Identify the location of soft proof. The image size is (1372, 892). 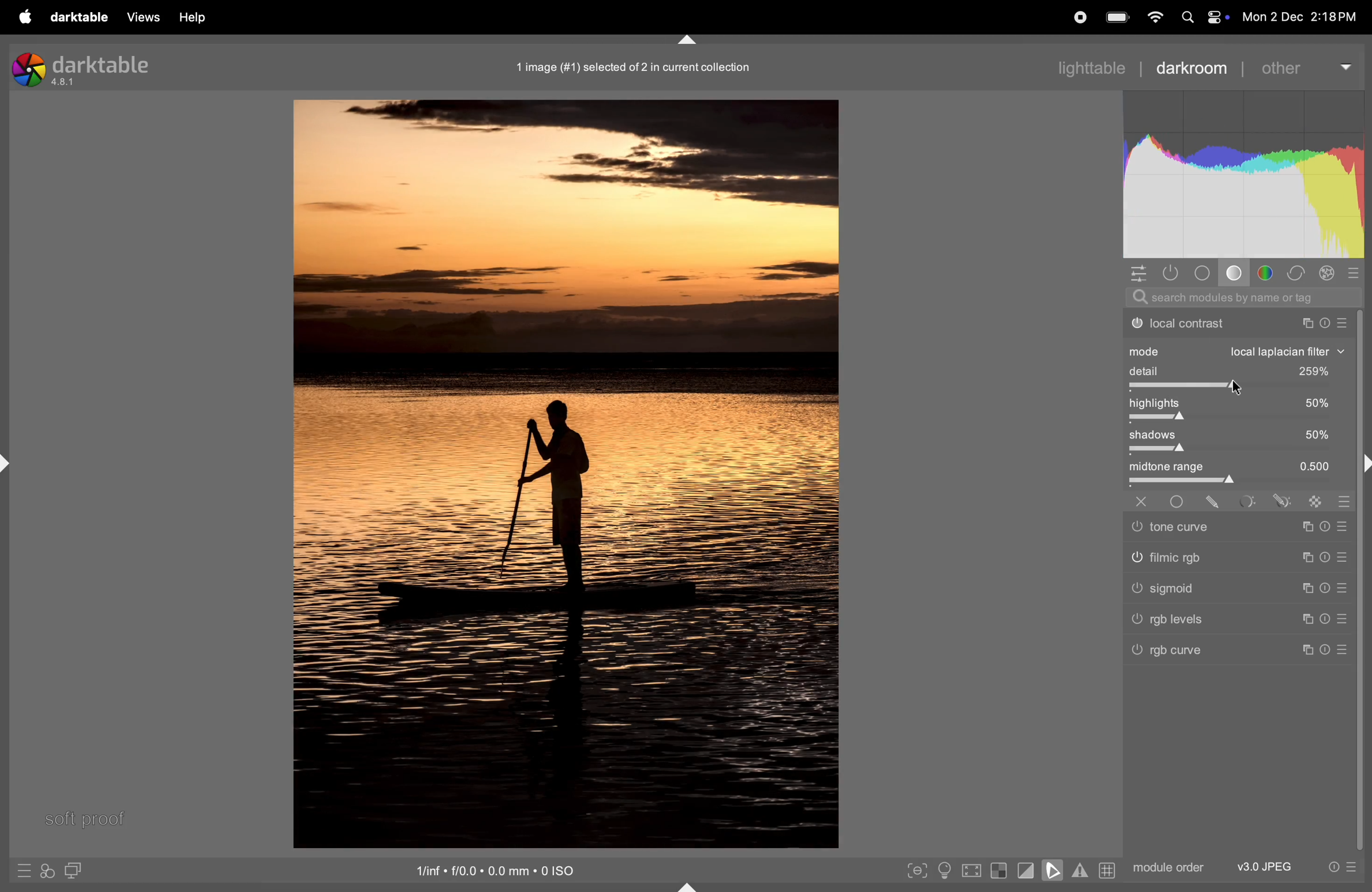
(88, 818).